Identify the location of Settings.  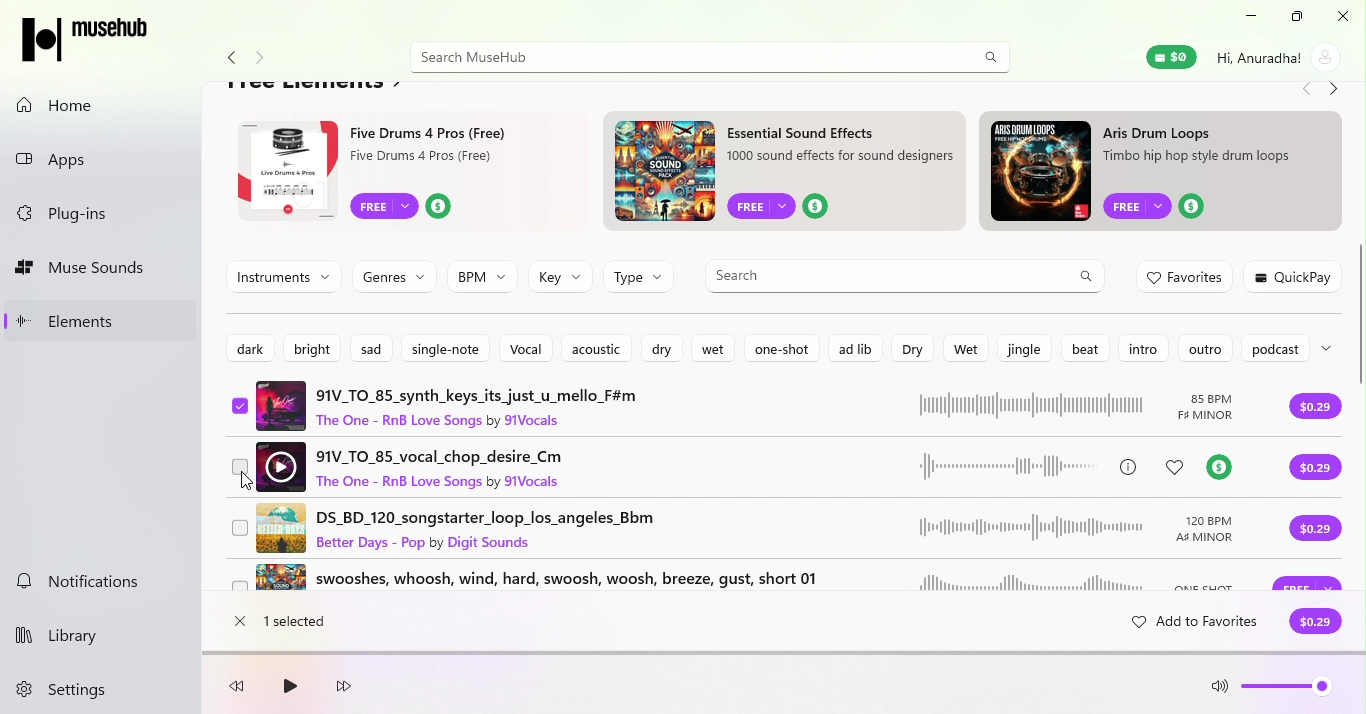
(76, 691).